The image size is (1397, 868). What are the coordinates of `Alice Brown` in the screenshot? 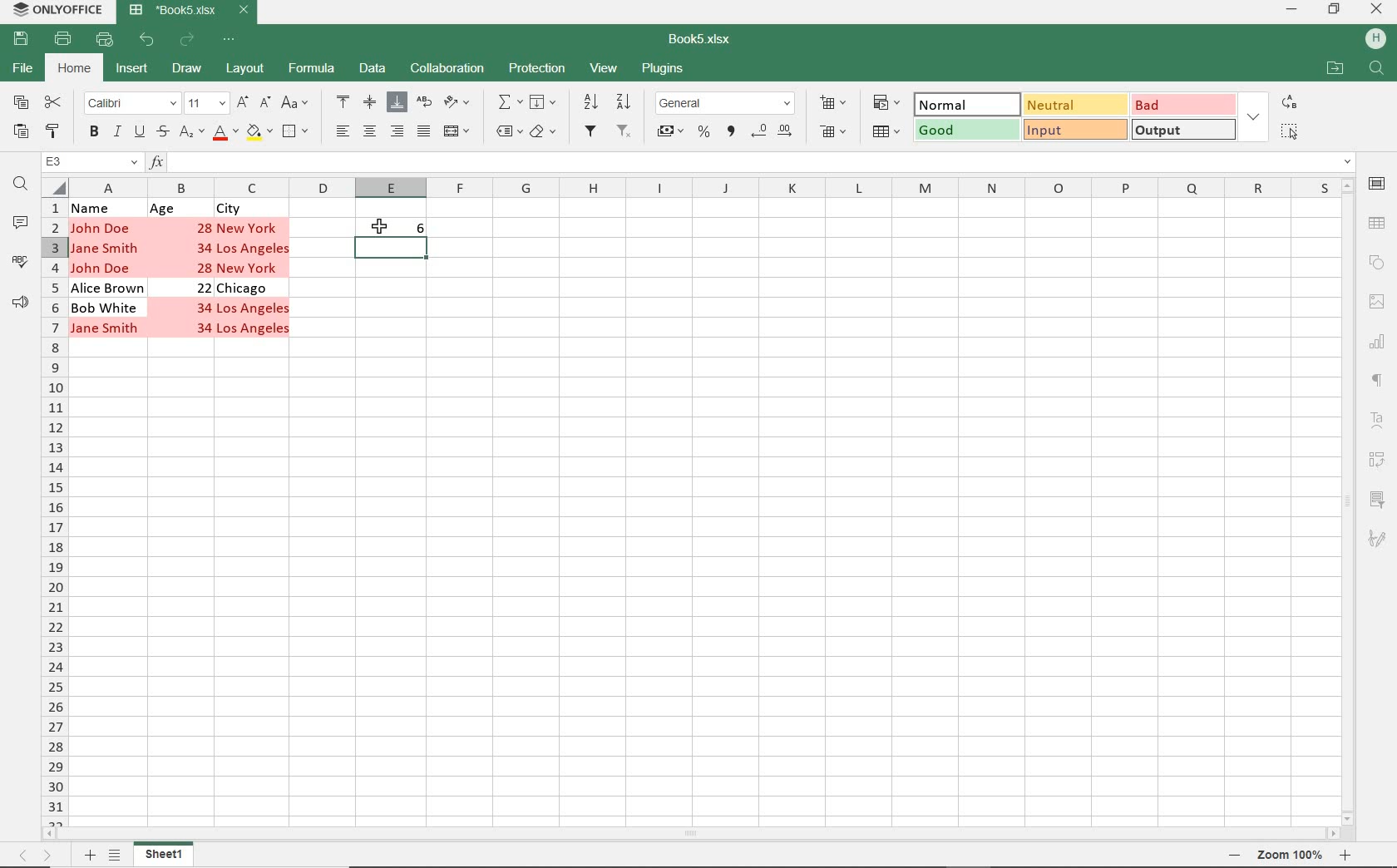 It's located at (111, 289).